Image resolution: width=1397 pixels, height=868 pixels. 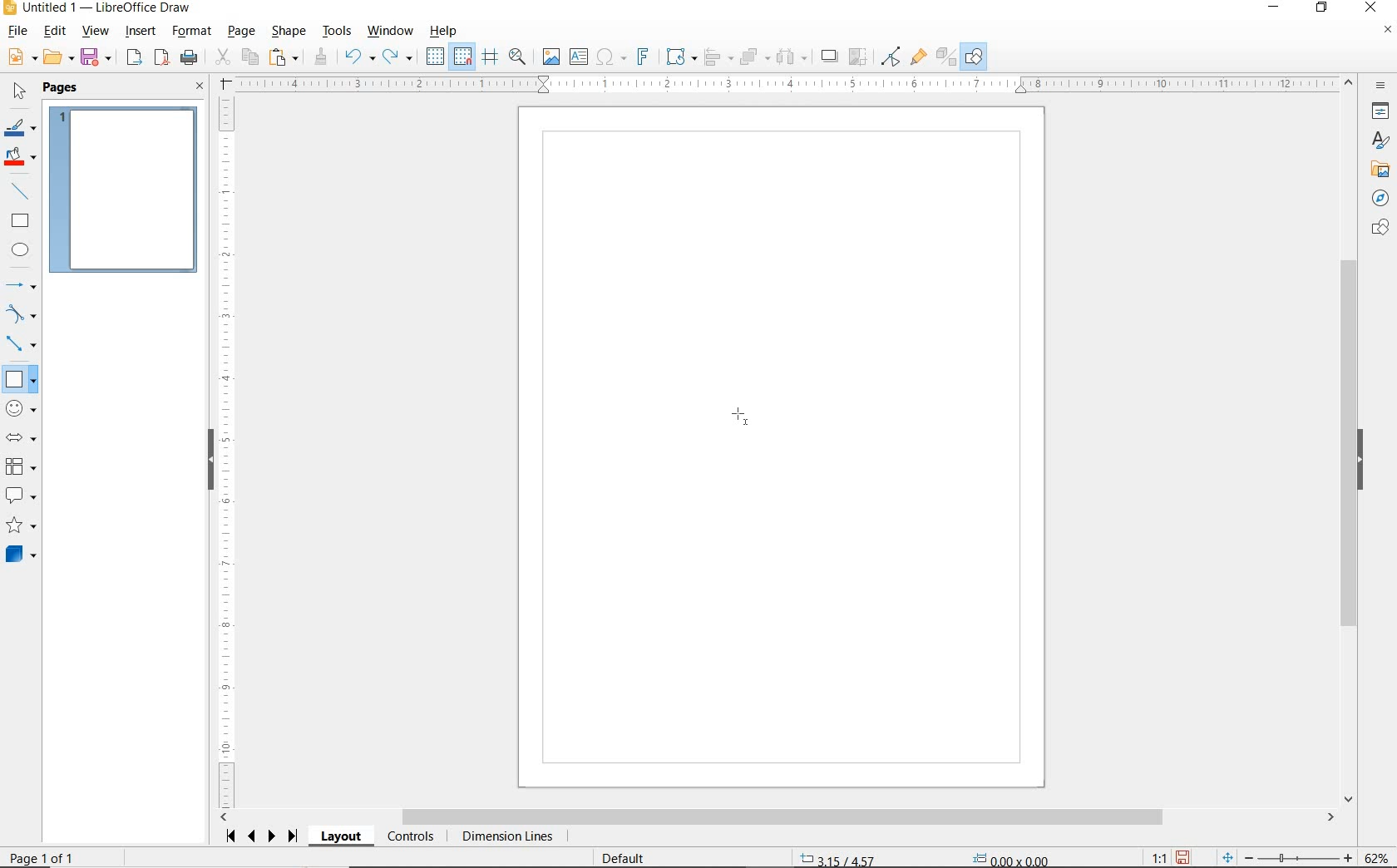 I want to click on FLOWCHART, so click(x=24, y=466).